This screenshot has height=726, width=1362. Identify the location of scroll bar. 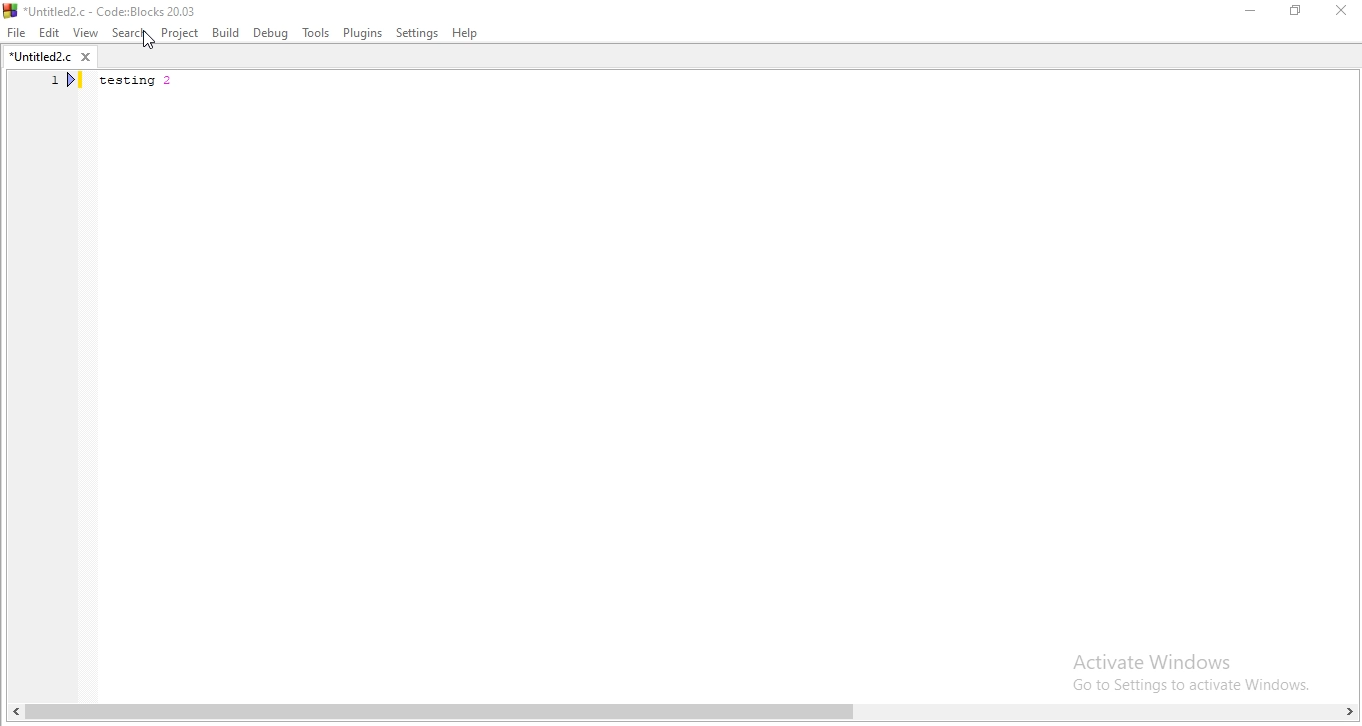
(681, 714).